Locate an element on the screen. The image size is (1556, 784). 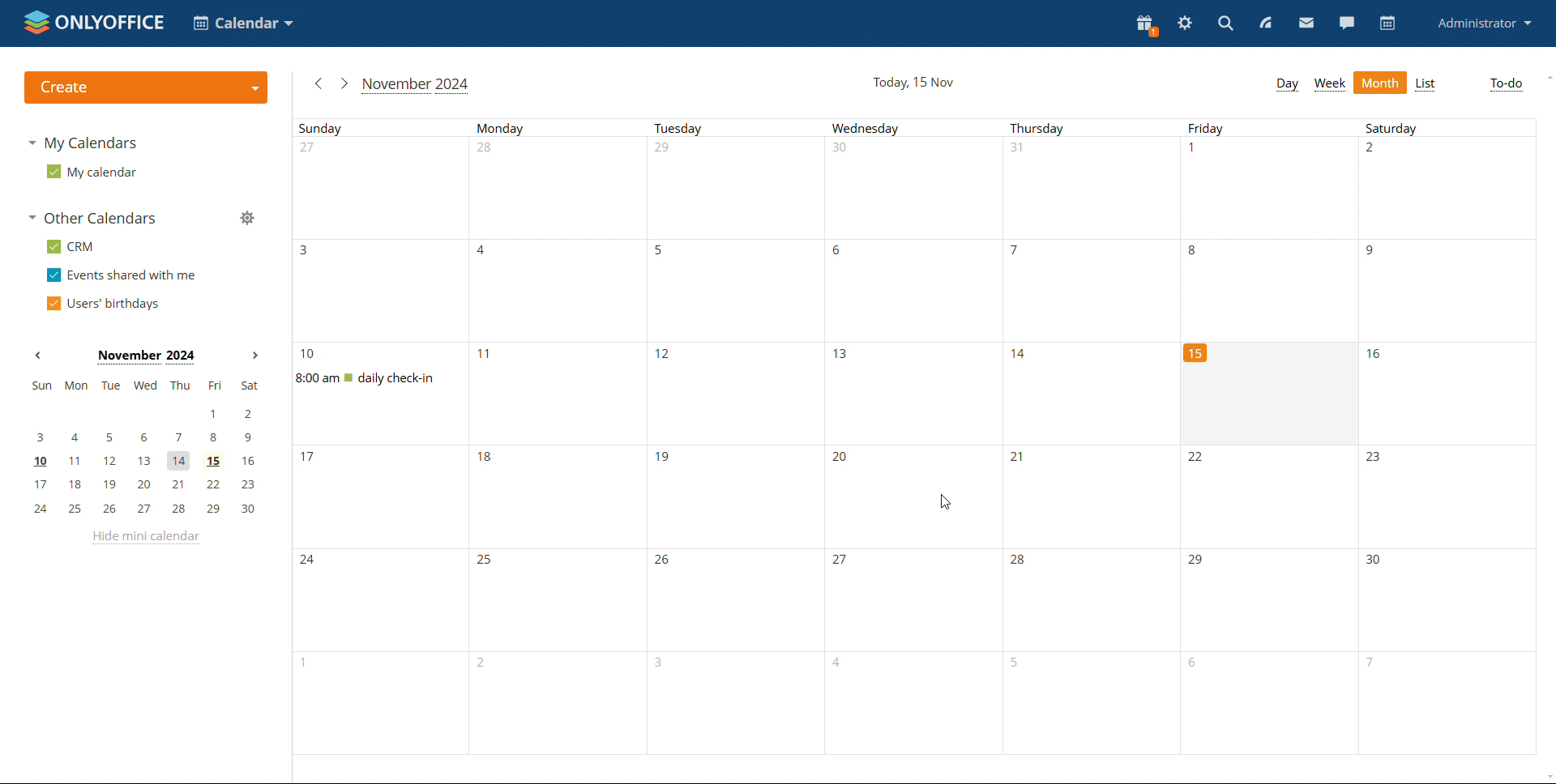
day view is located at coordinates (1287, 84).